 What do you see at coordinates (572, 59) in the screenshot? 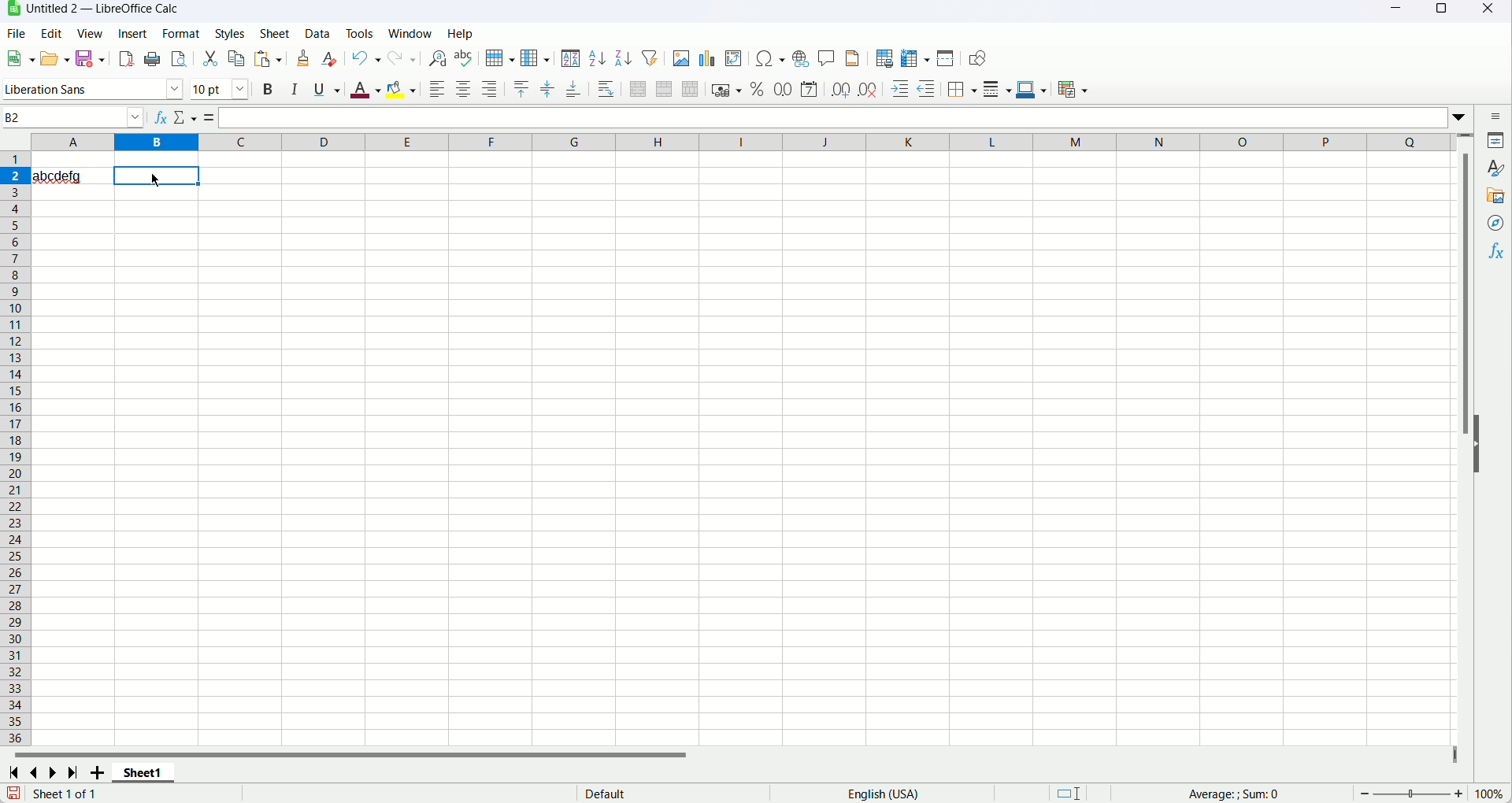
I see `sort` at bounding box center [572, 59].